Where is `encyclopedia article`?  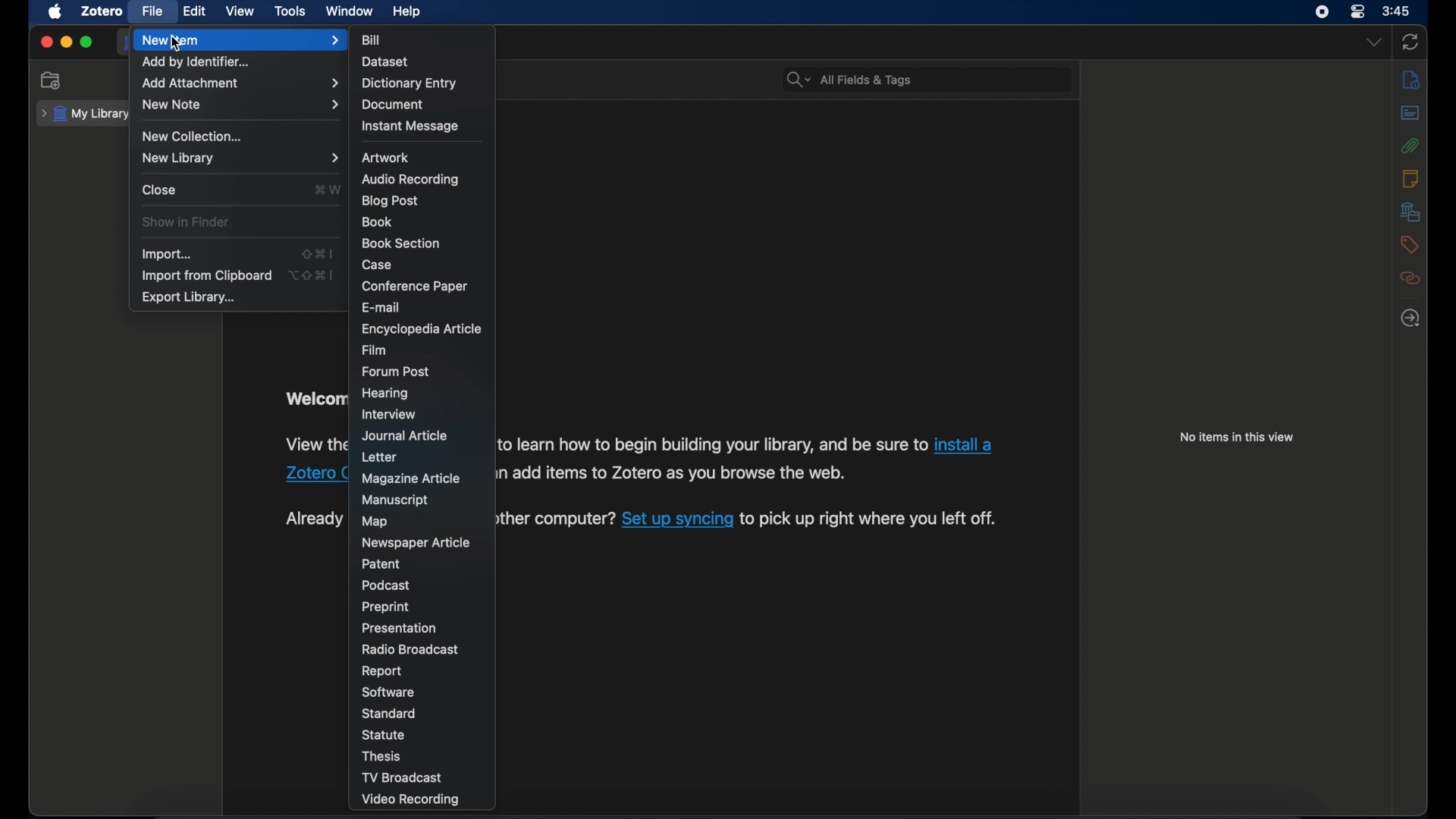 encyclopedia article is located at coordinates (422, 328).